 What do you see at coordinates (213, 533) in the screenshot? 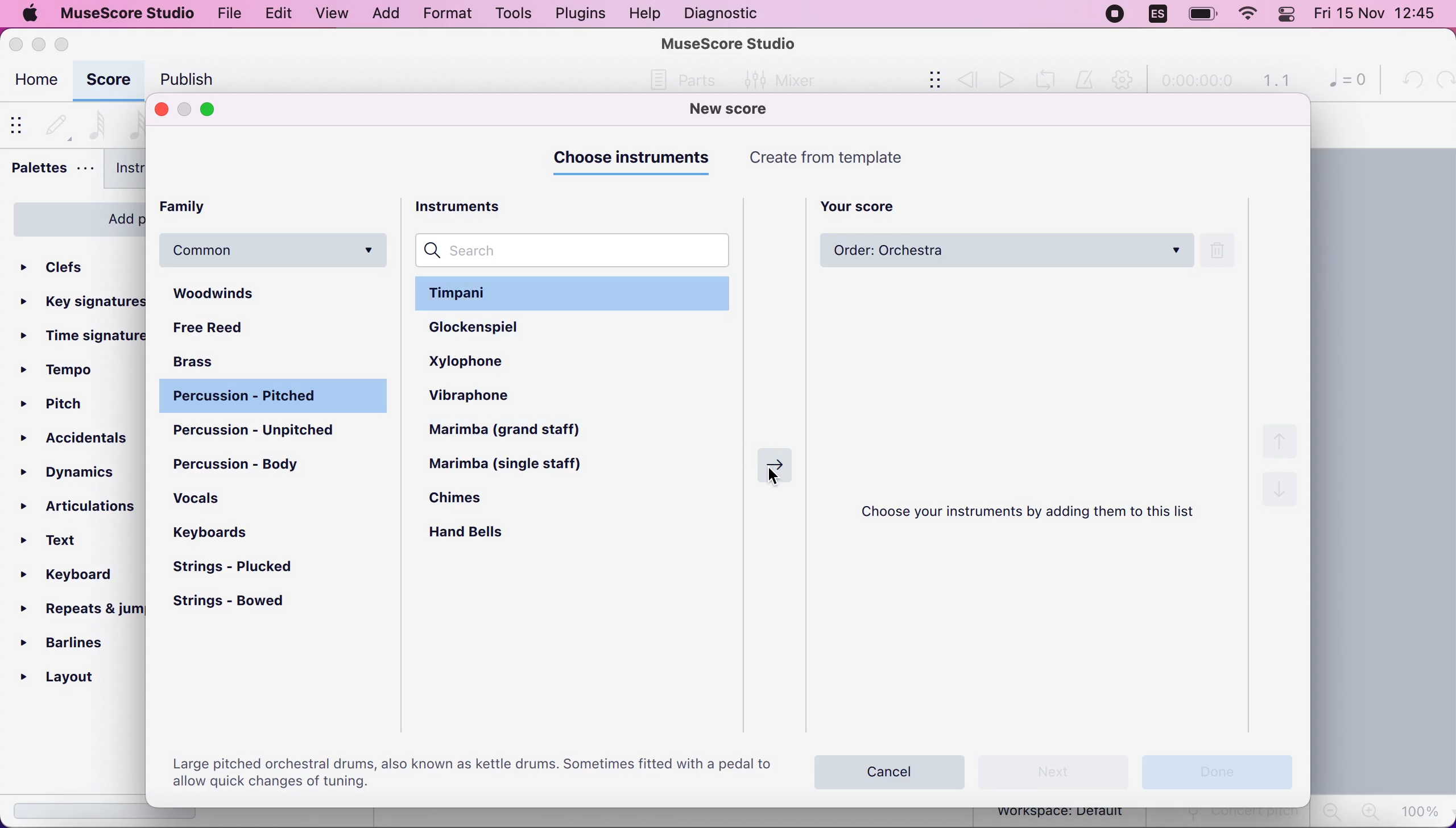
I see `keyboards` at bounding box center [213, 533].